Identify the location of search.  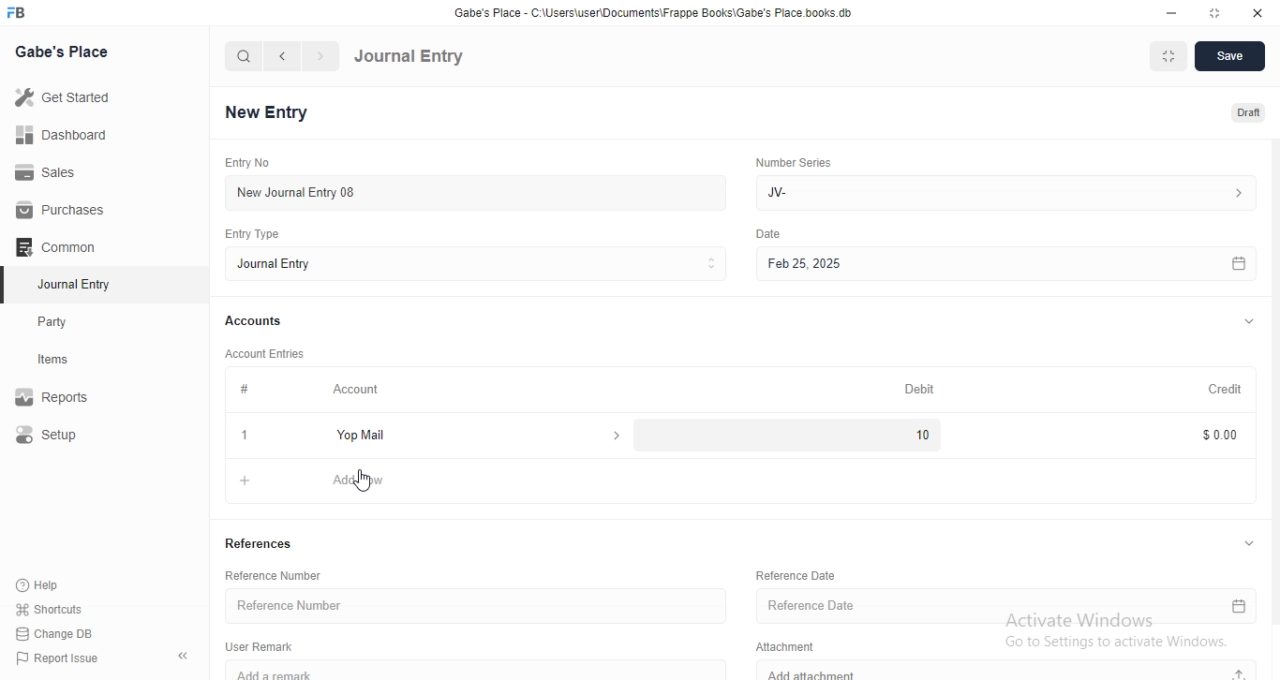
(244, 57).